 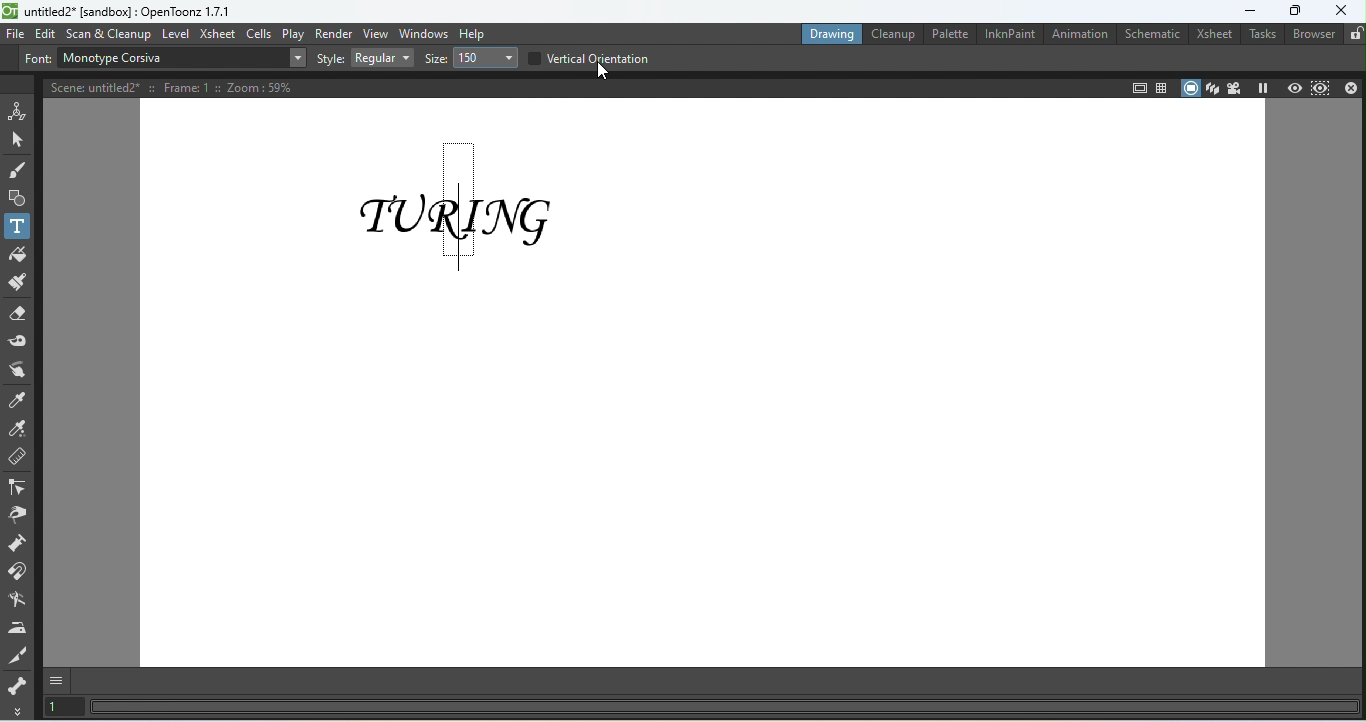 What do you see at coordinates (15, 599) in the screenshot?
I see `Render tool` at bounding box center [15, 599].